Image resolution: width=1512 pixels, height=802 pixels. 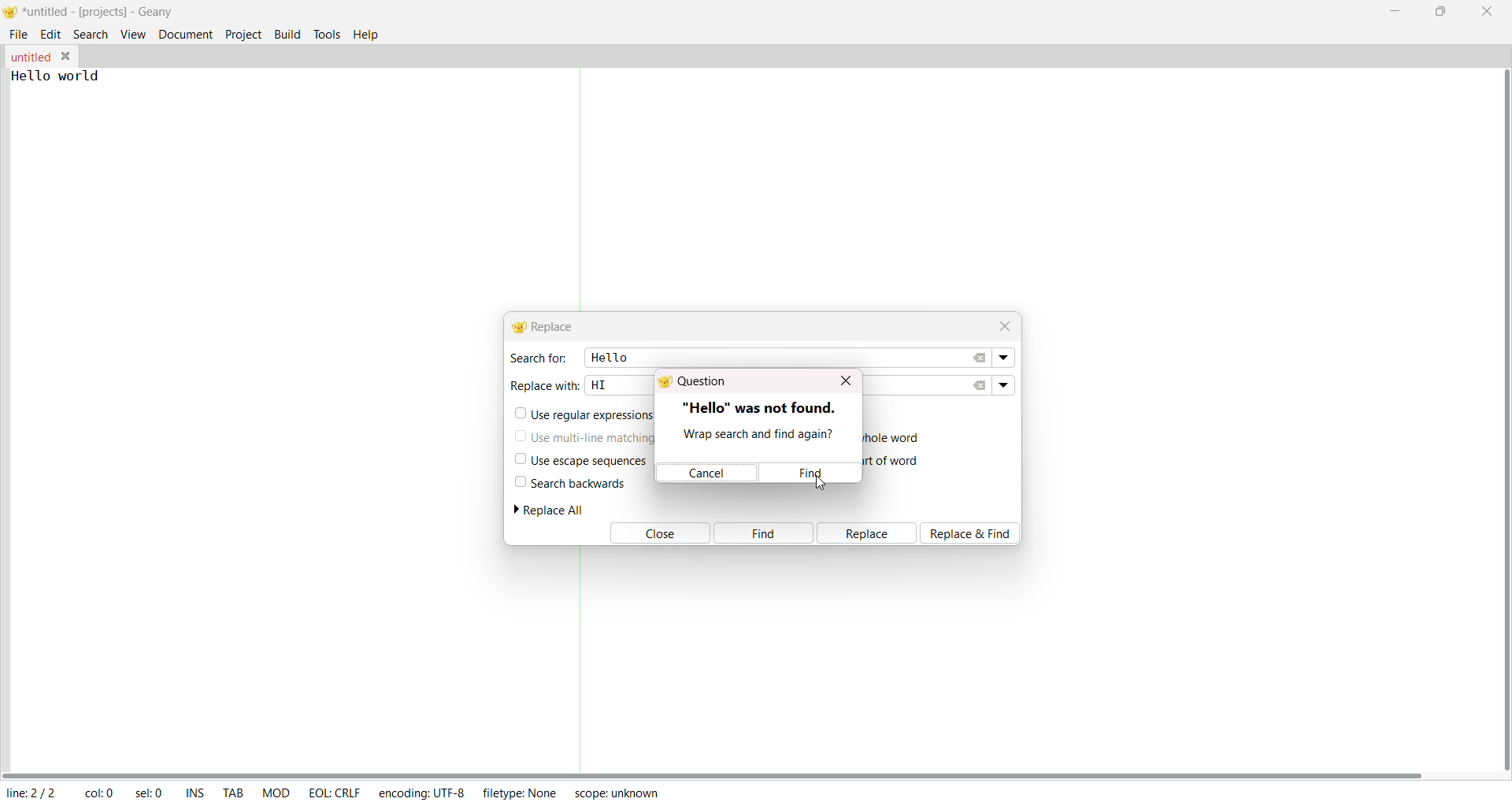 I want to click on find, so click(x=813, y=473).